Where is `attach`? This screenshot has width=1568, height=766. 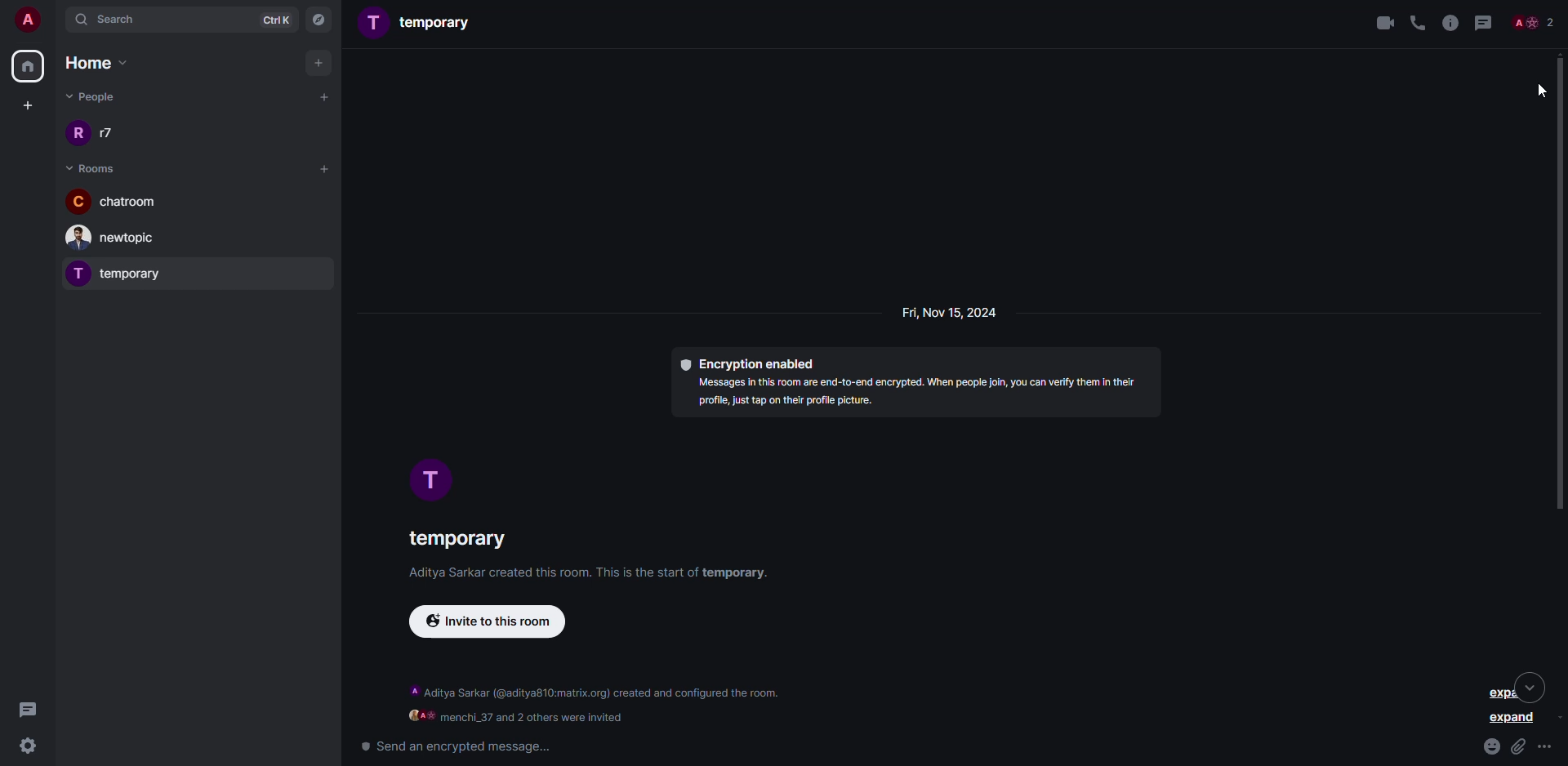 attach is located at coordinates (1519, 746).